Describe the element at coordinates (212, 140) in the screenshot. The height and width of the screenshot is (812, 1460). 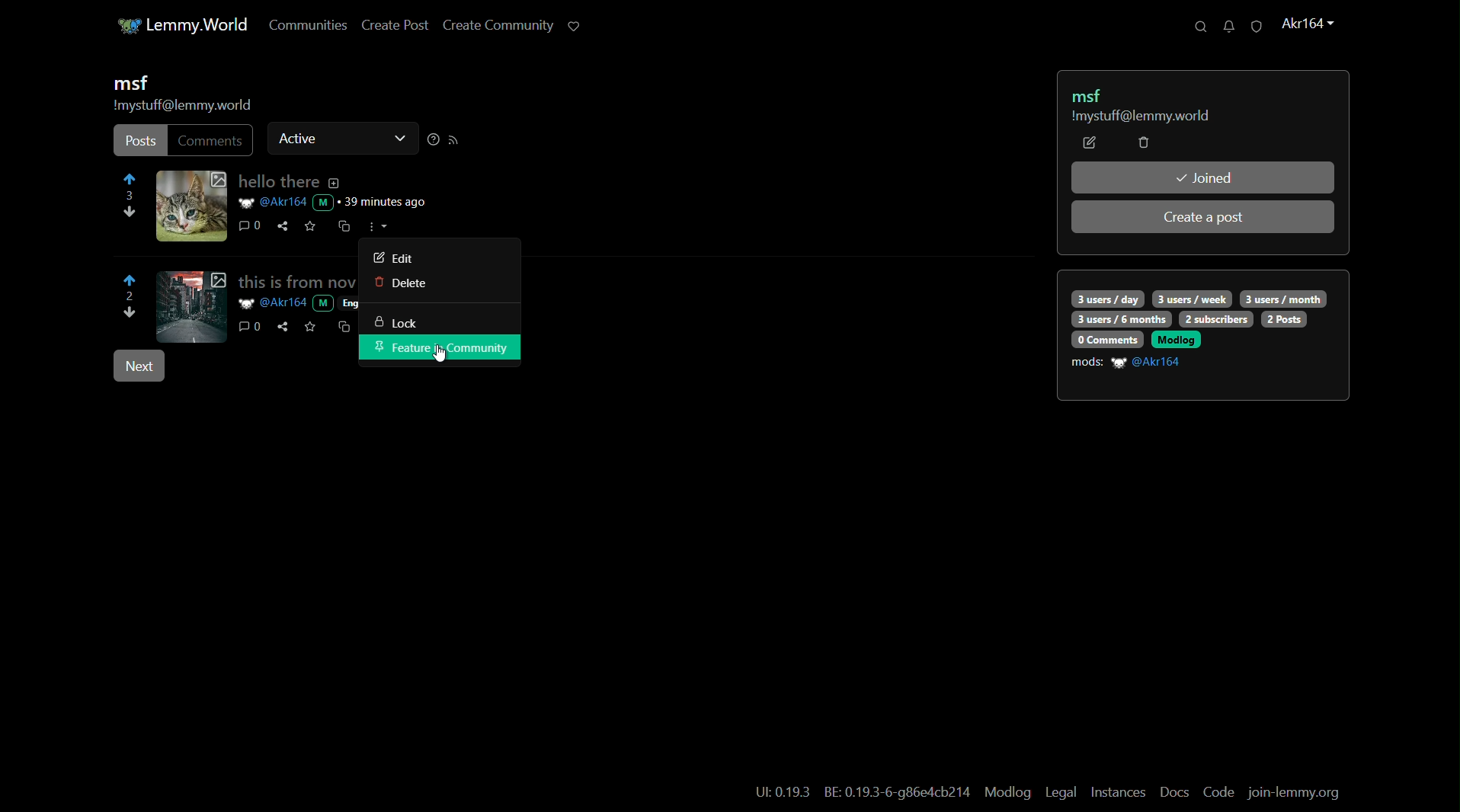
I see `comment` at that location.